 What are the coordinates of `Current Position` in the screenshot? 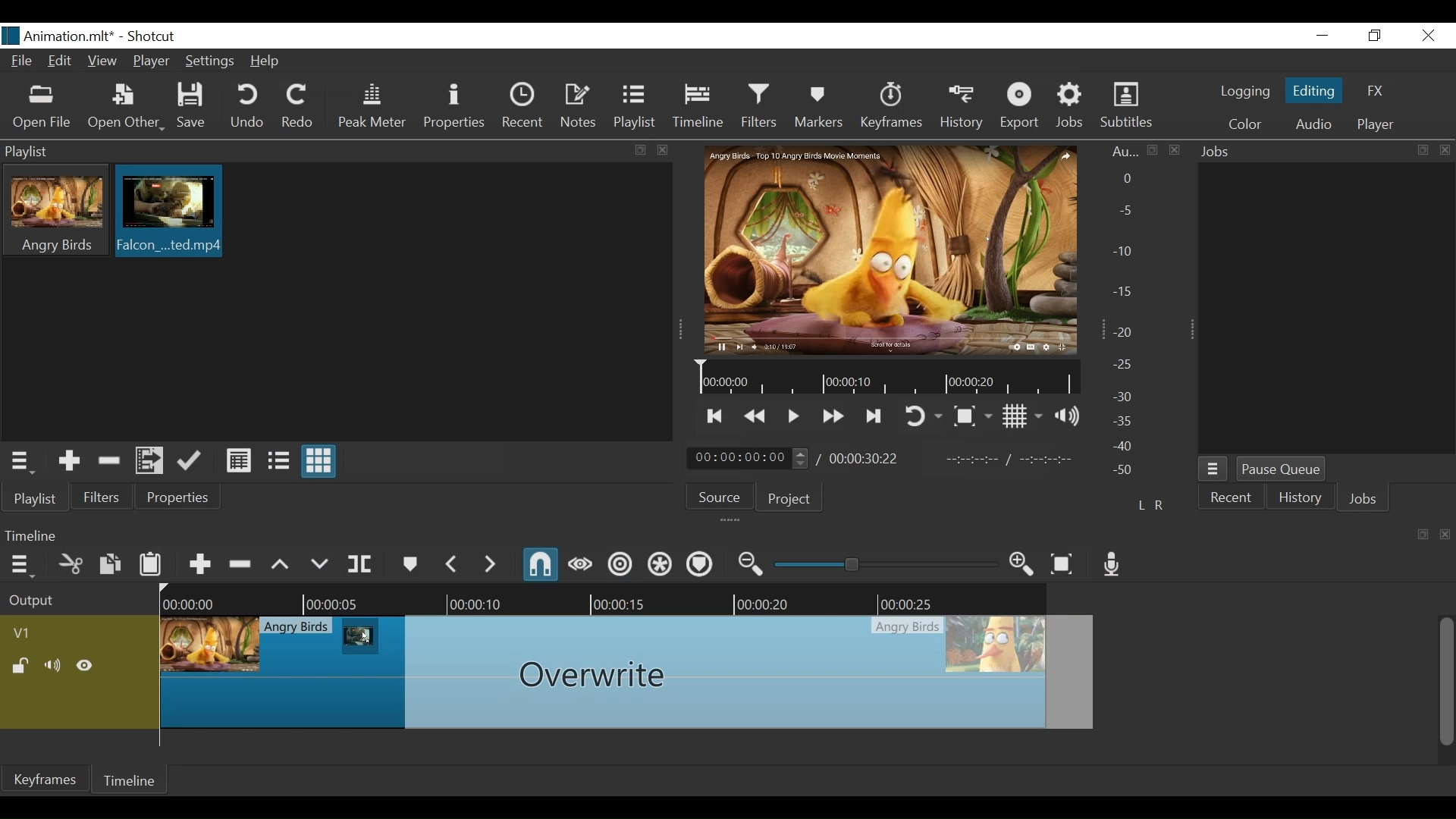 It's located at (748, 459).